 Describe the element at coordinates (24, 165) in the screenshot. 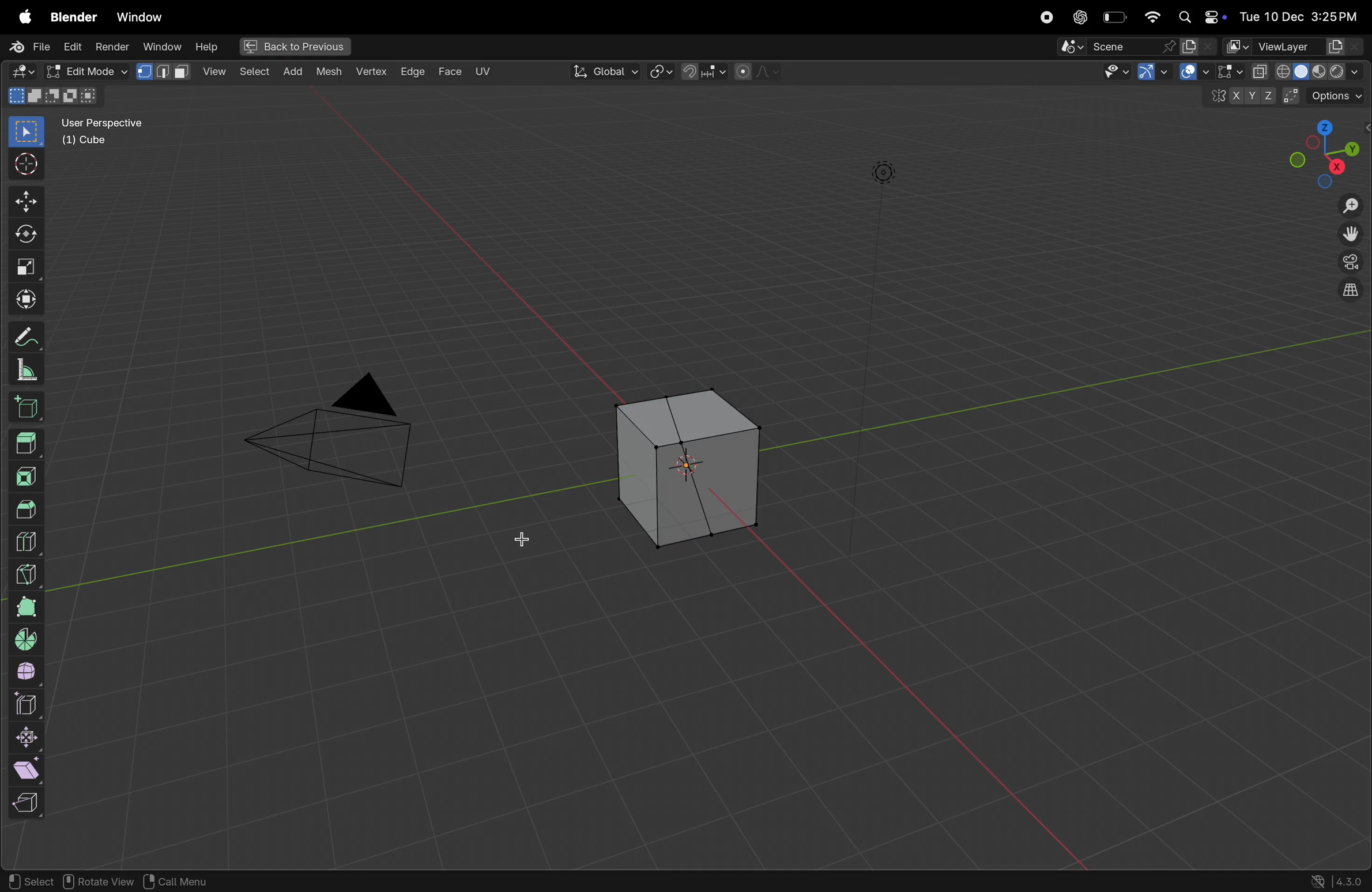

I see `cursor` at that location.